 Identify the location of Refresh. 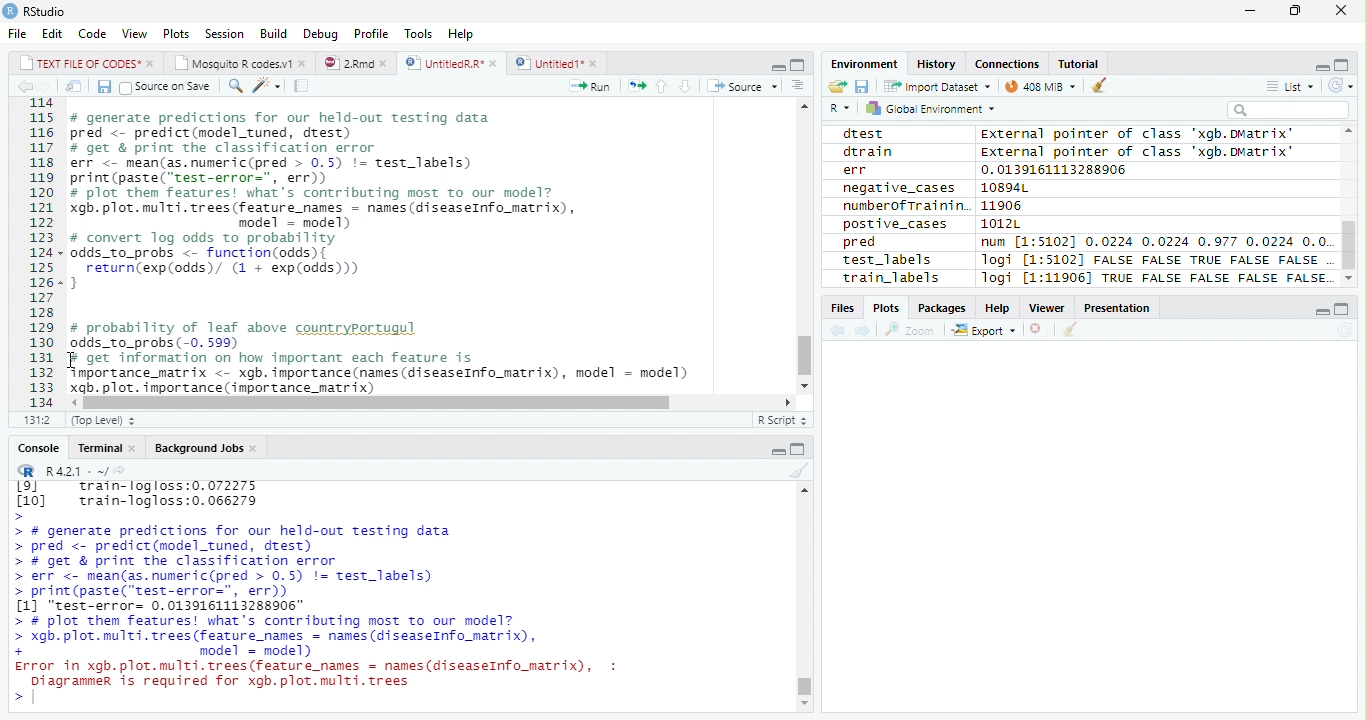
(1340, 84).